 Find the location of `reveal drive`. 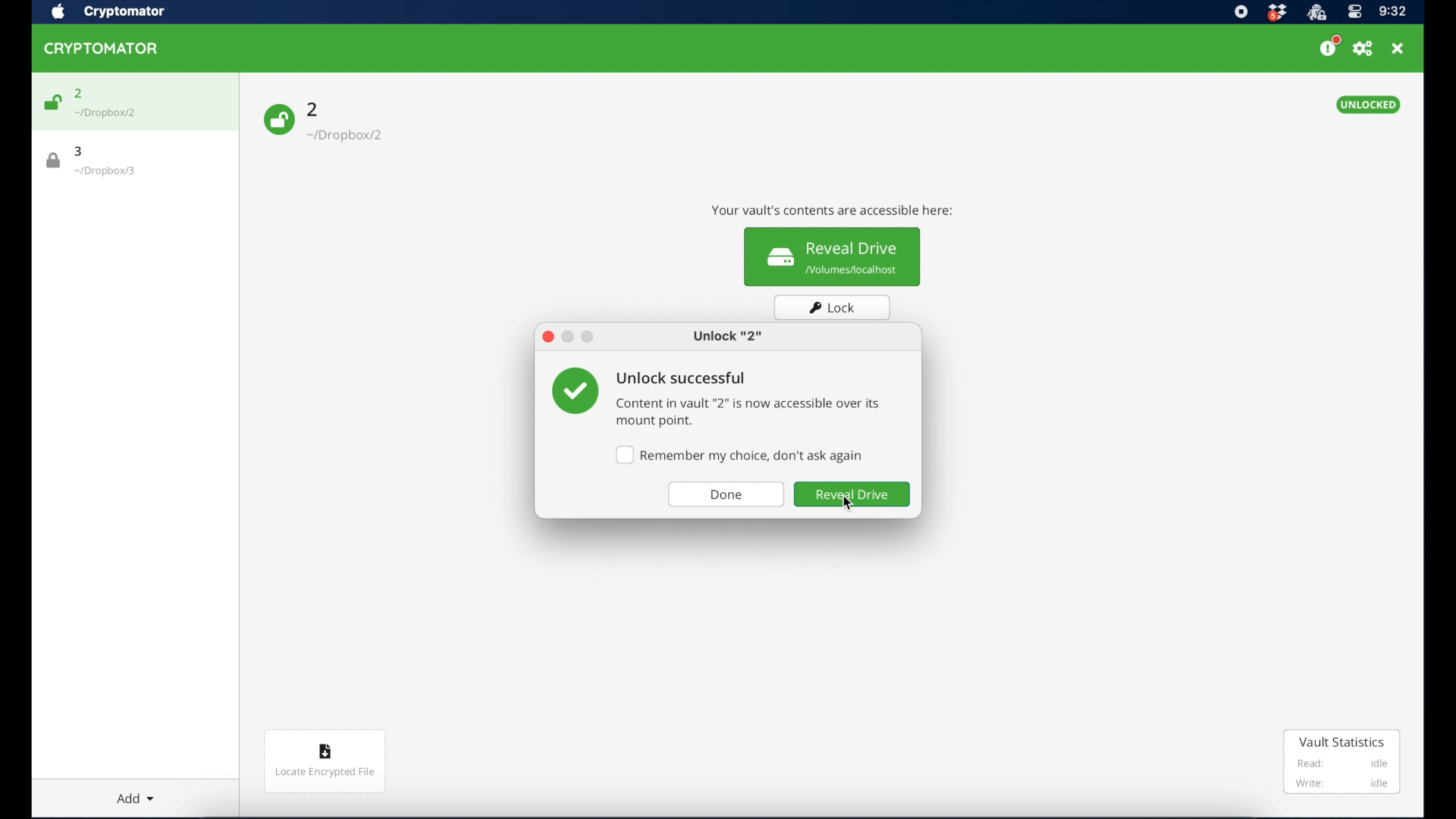

reveal drive is located at coordinates (855, 494).